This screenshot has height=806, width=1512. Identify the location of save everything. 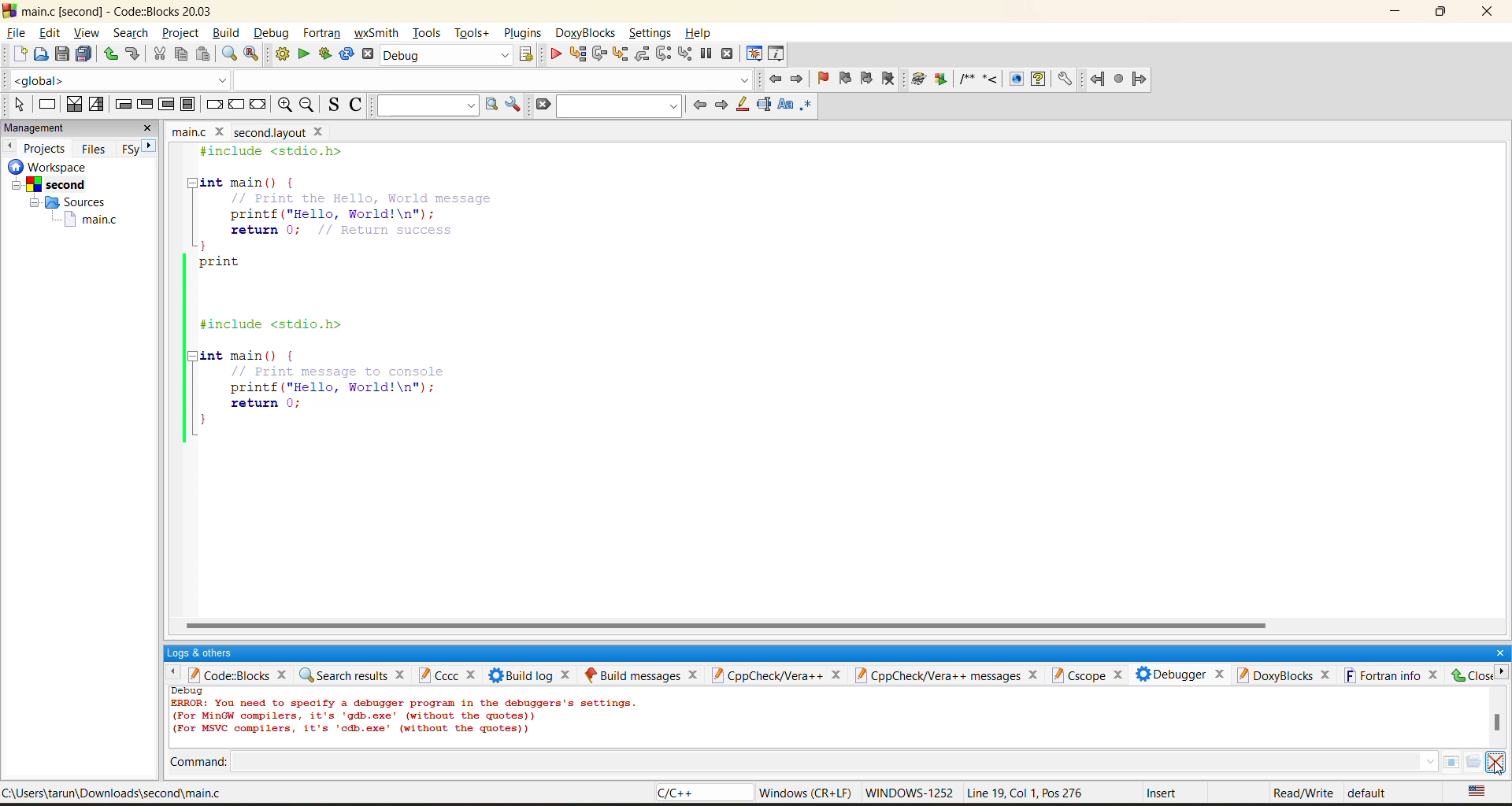
(83, 55).